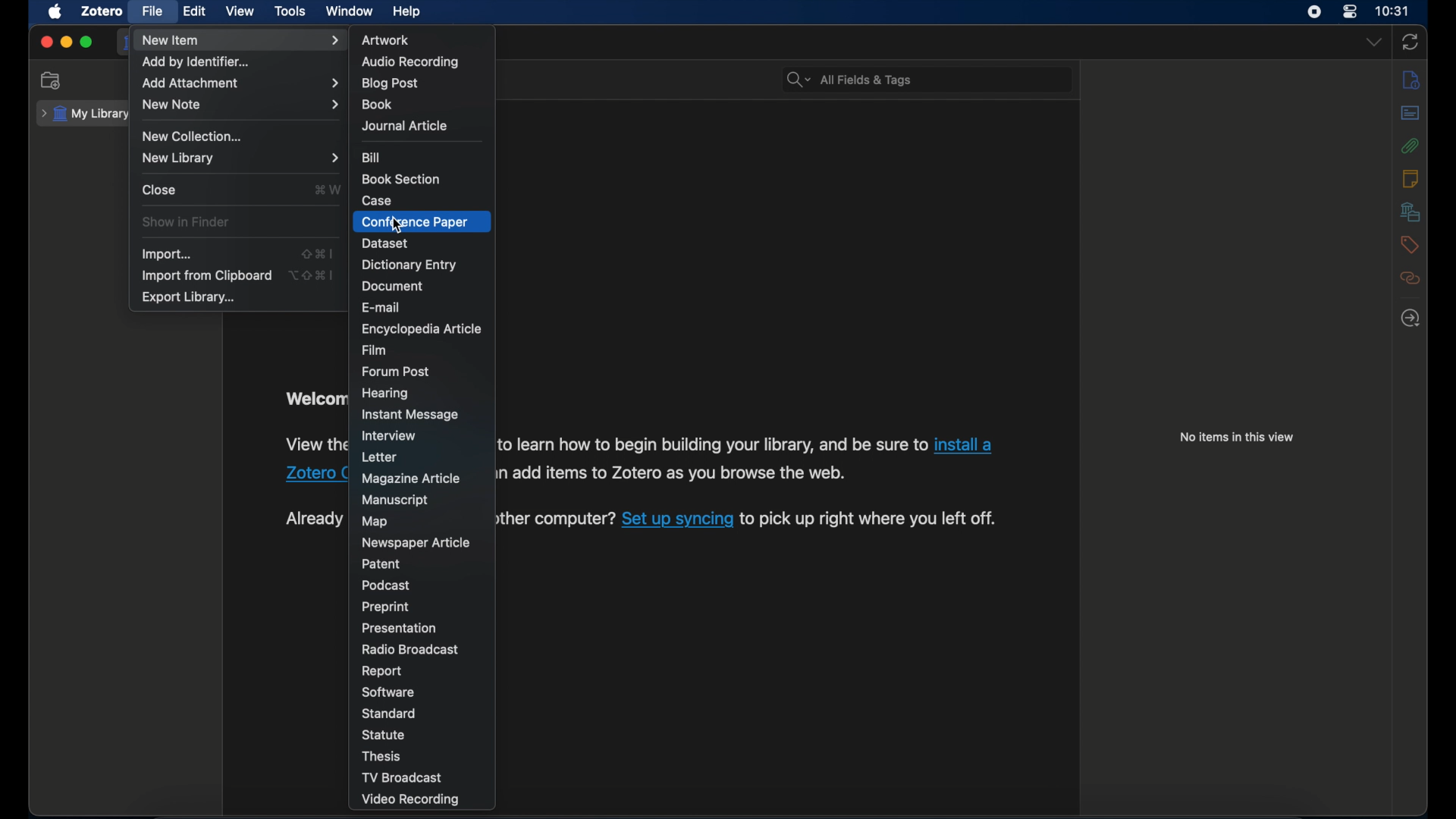  What do you see at coordinates (313, 519) in the screenshot?
I see `obscure text` at bounding box center [313, 519].